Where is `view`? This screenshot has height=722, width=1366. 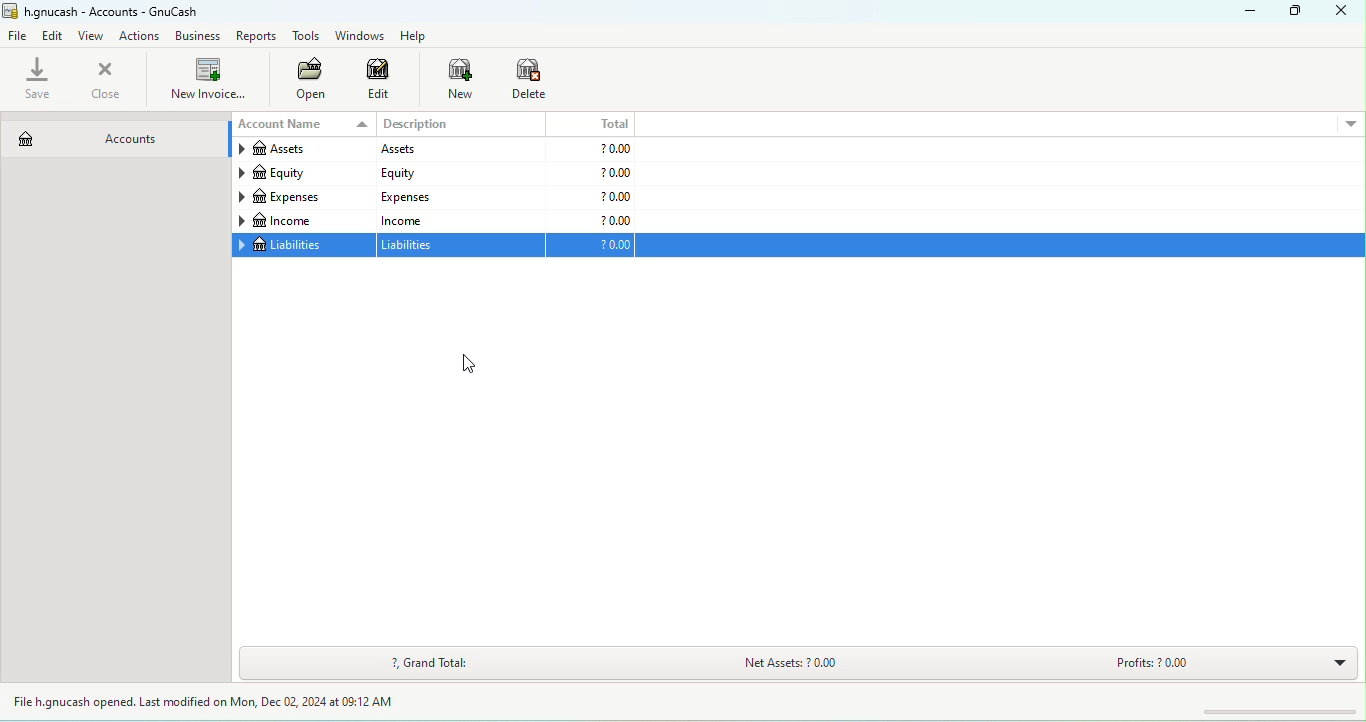 view is located at coordinates (94, 36).